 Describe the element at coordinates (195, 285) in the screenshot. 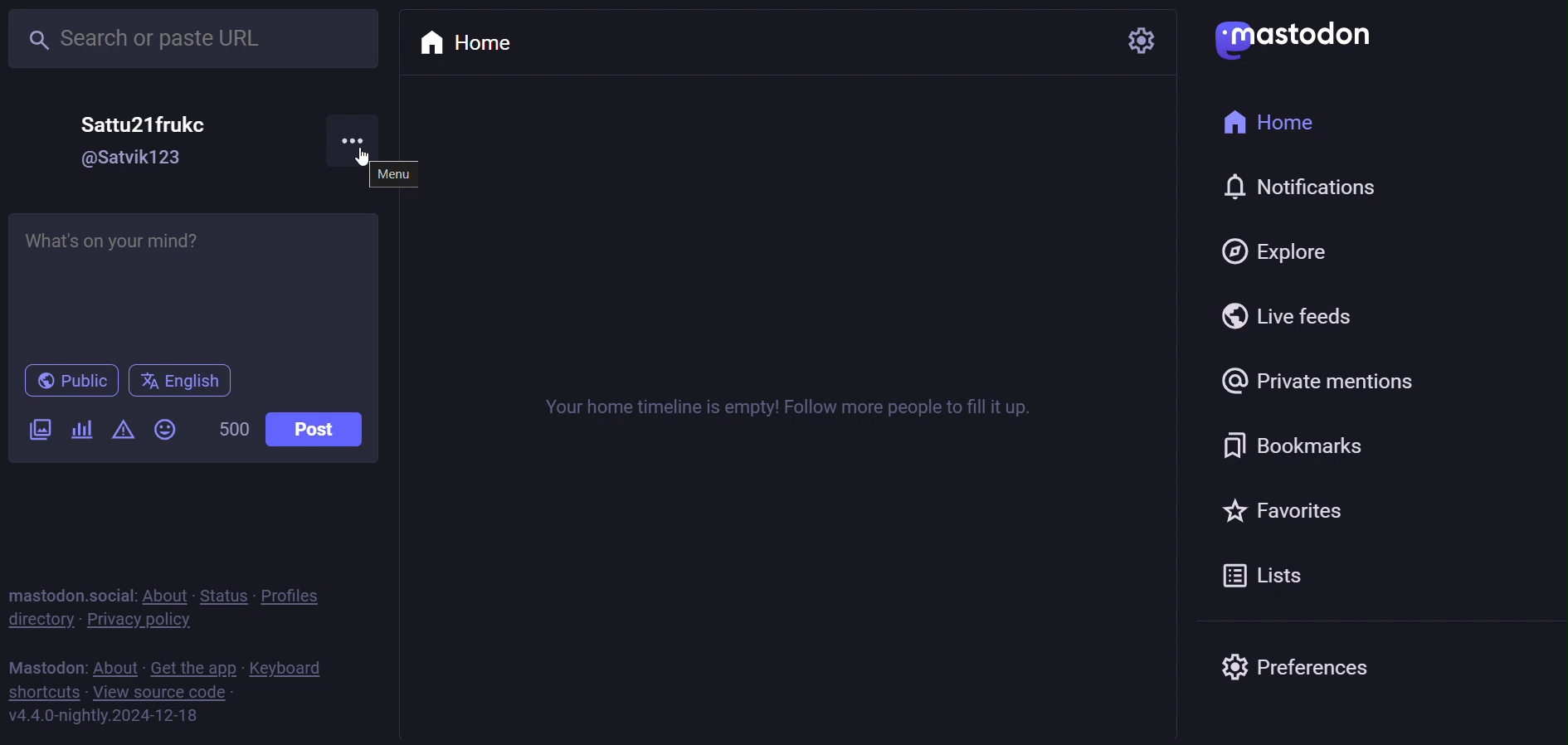

I see `whats on your mind?` at that location.